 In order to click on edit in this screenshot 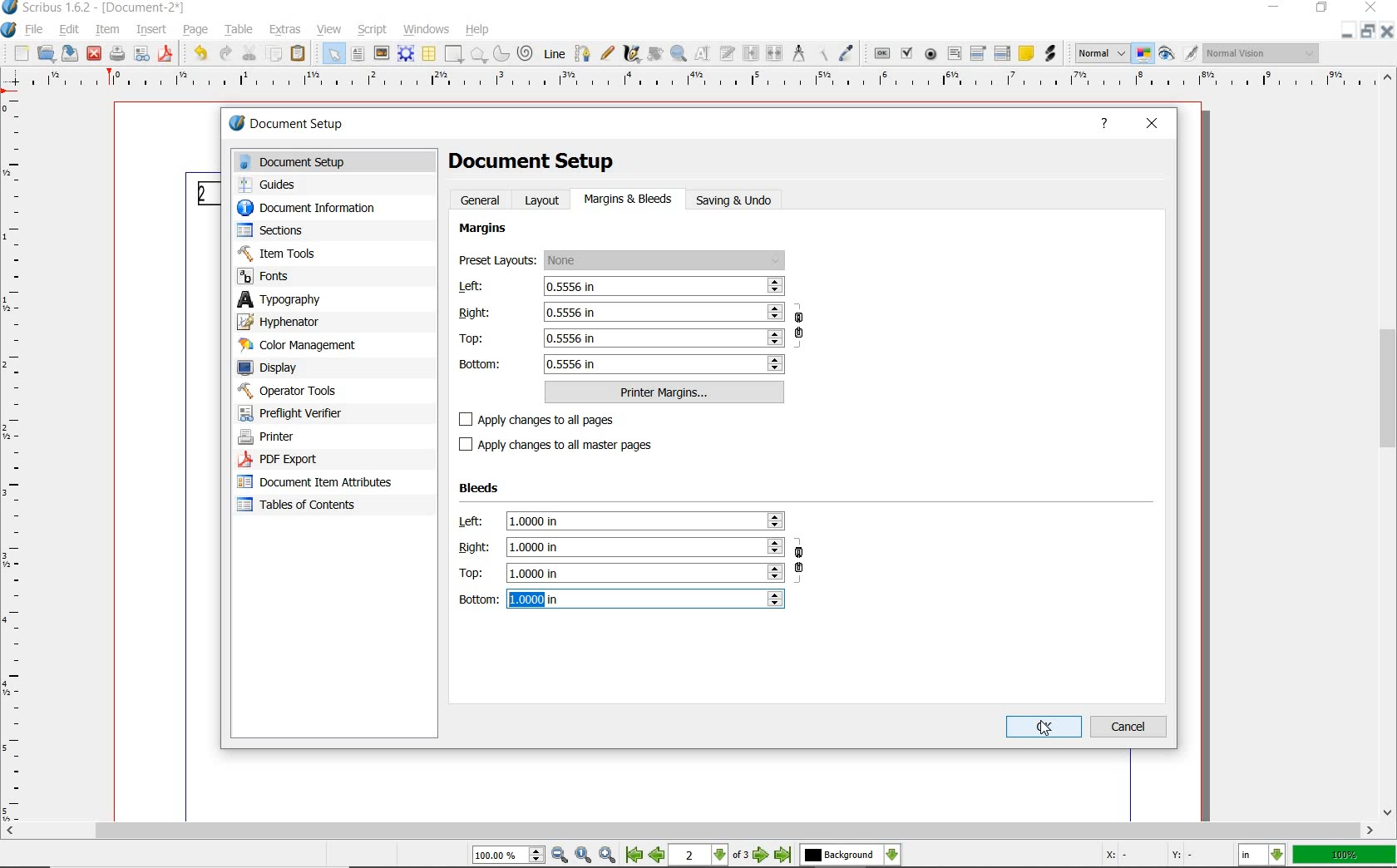, I will do `click(68, 29)`.